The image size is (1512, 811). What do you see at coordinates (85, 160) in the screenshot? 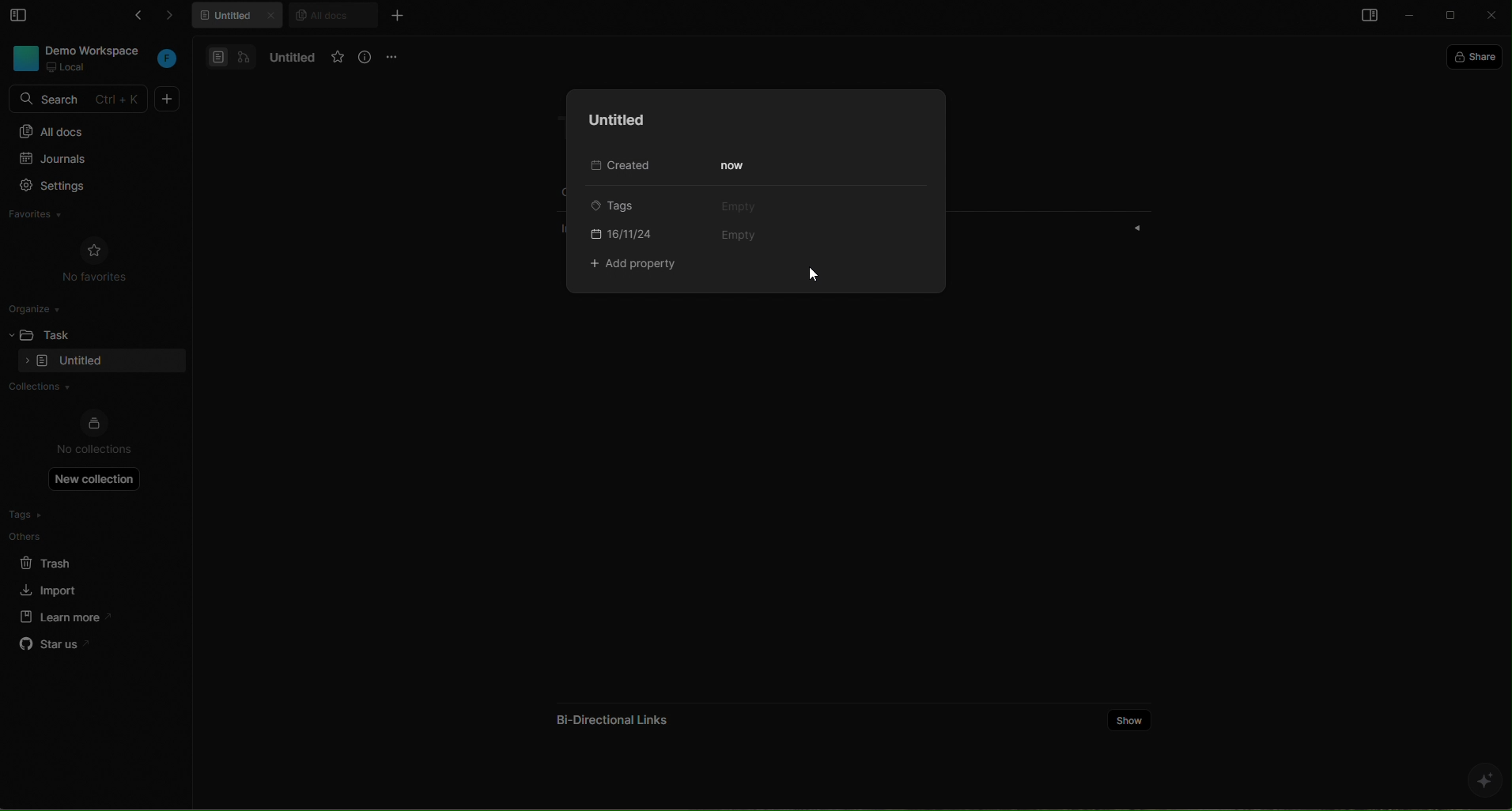
I see `journals` at bounding box center [85, 160].